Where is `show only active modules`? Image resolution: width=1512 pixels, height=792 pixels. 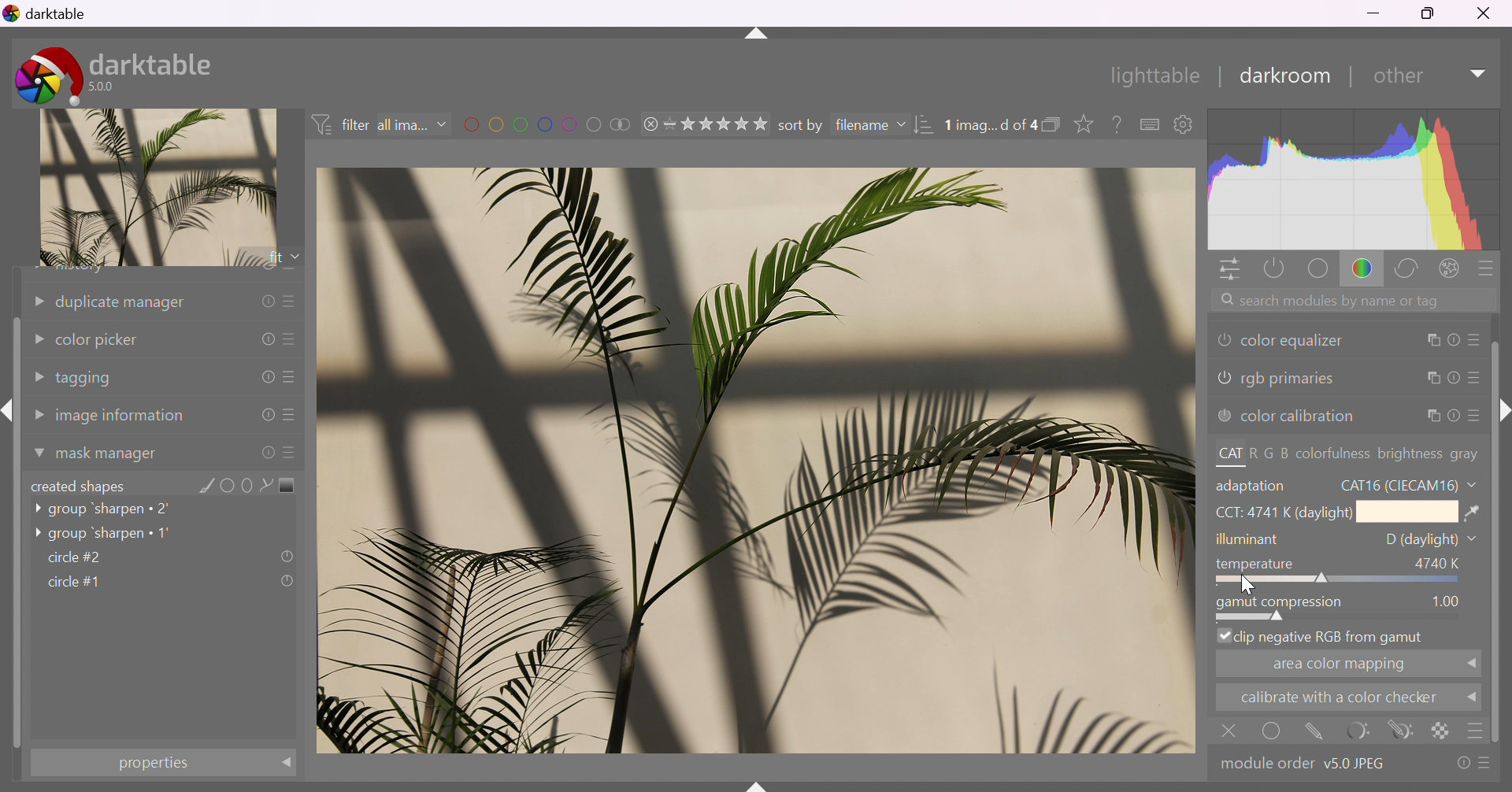 show only active modules is located at coordinates (1274, 268).